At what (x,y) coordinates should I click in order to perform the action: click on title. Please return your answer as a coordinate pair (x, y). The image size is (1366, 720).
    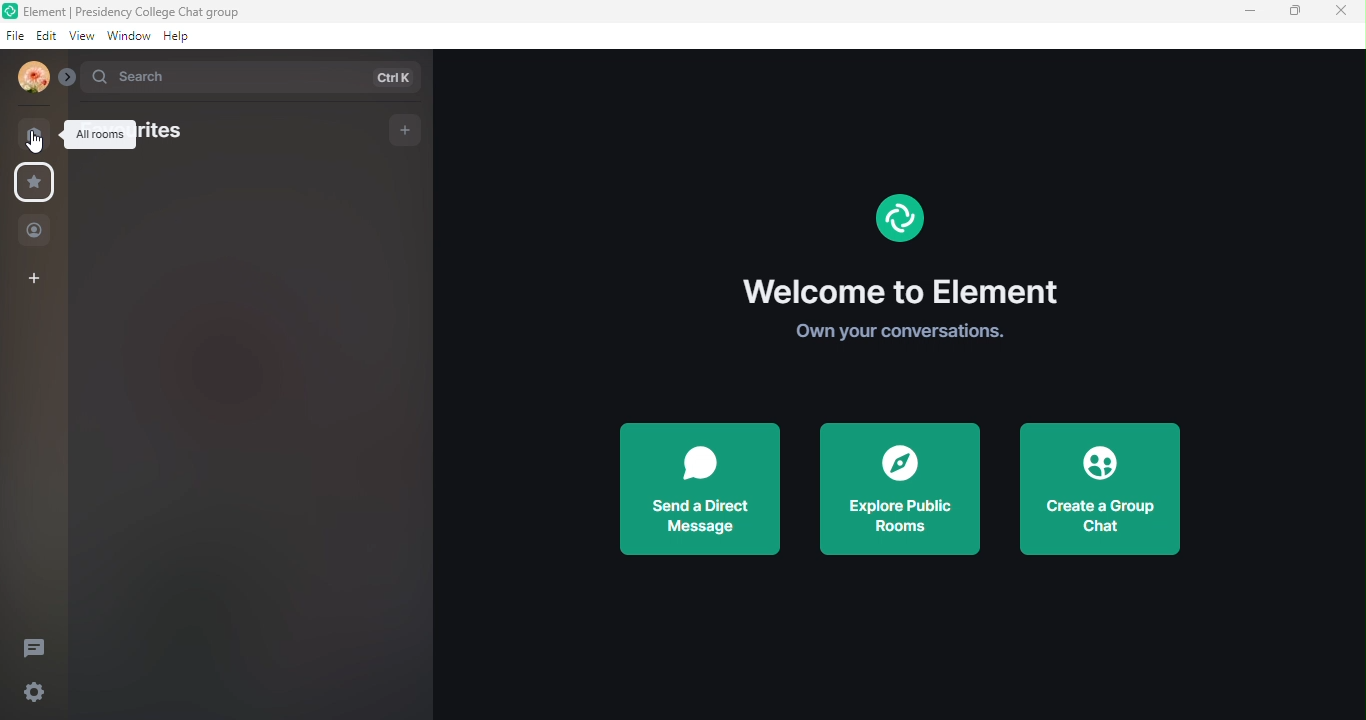
    Looking at the image, I should click on (140, 11).